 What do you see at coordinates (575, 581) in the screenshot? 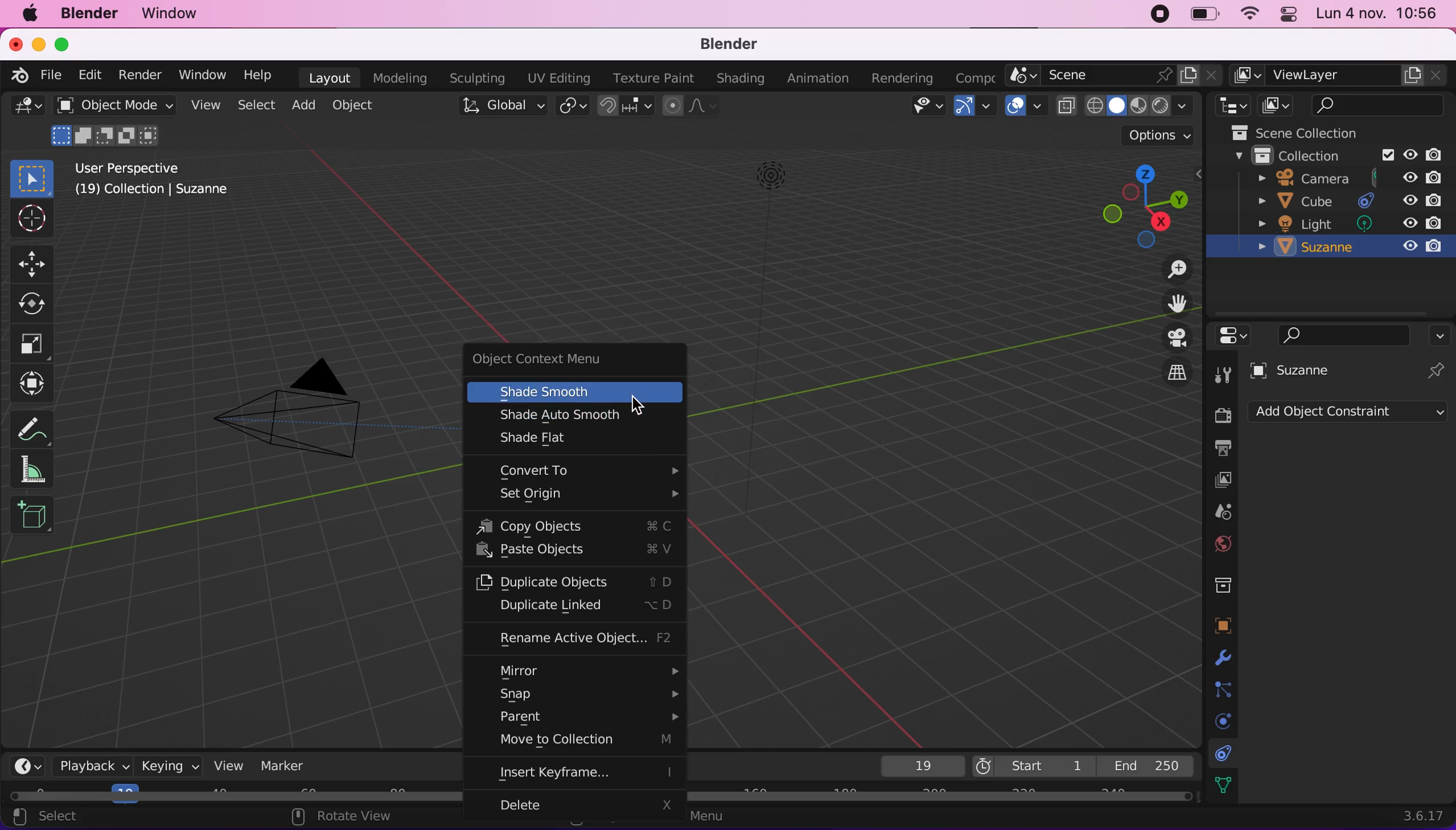
I see `duplicate objects` at bounding box center [575, 581].